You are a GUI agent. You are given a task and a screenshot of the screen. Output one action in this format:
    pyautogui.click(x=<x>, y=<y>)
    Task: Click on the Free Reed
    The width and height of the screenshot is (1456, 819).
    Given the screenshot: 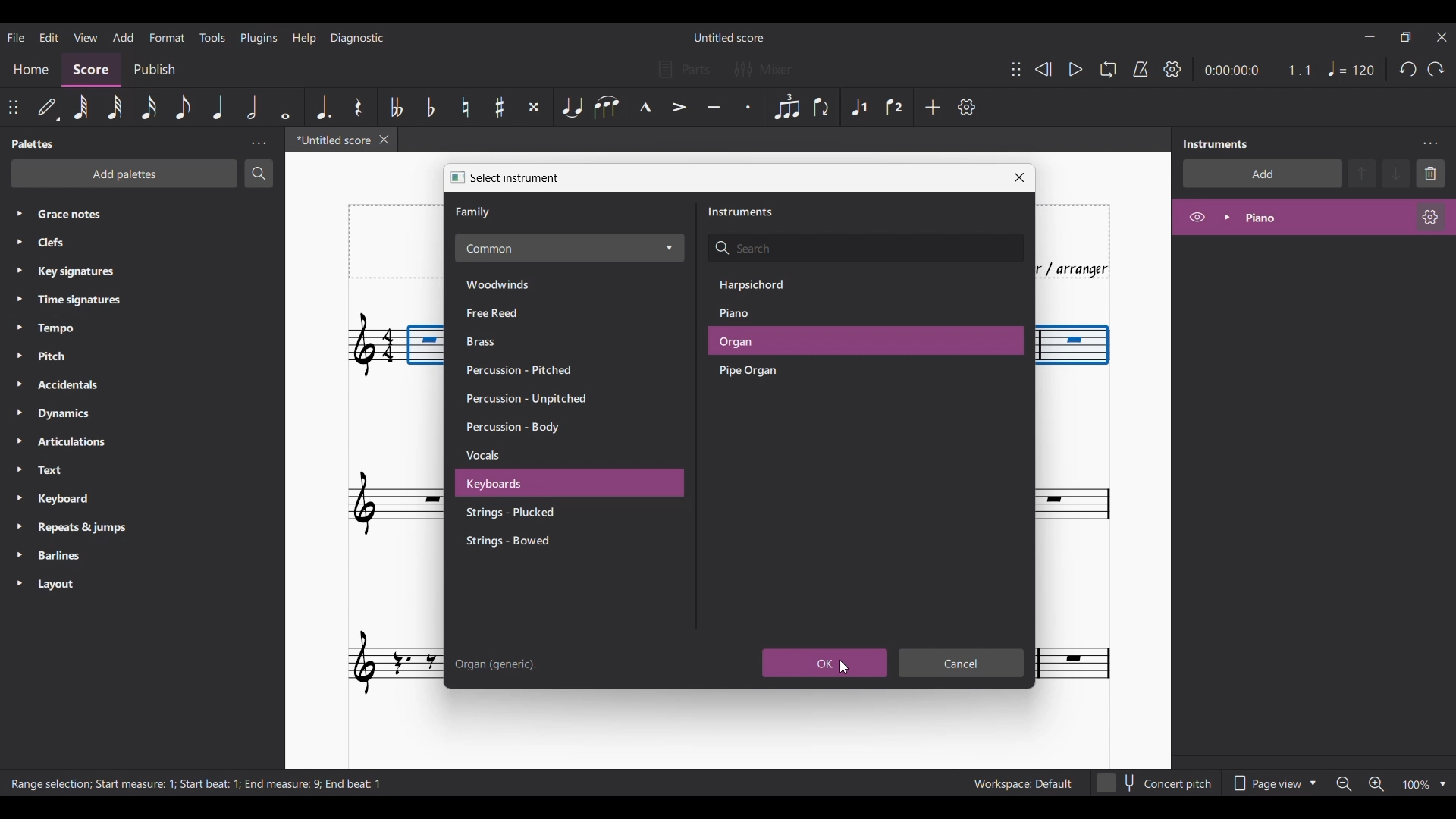 What is the action you would take?
    pyautogui.click(x=514, y=313)
    